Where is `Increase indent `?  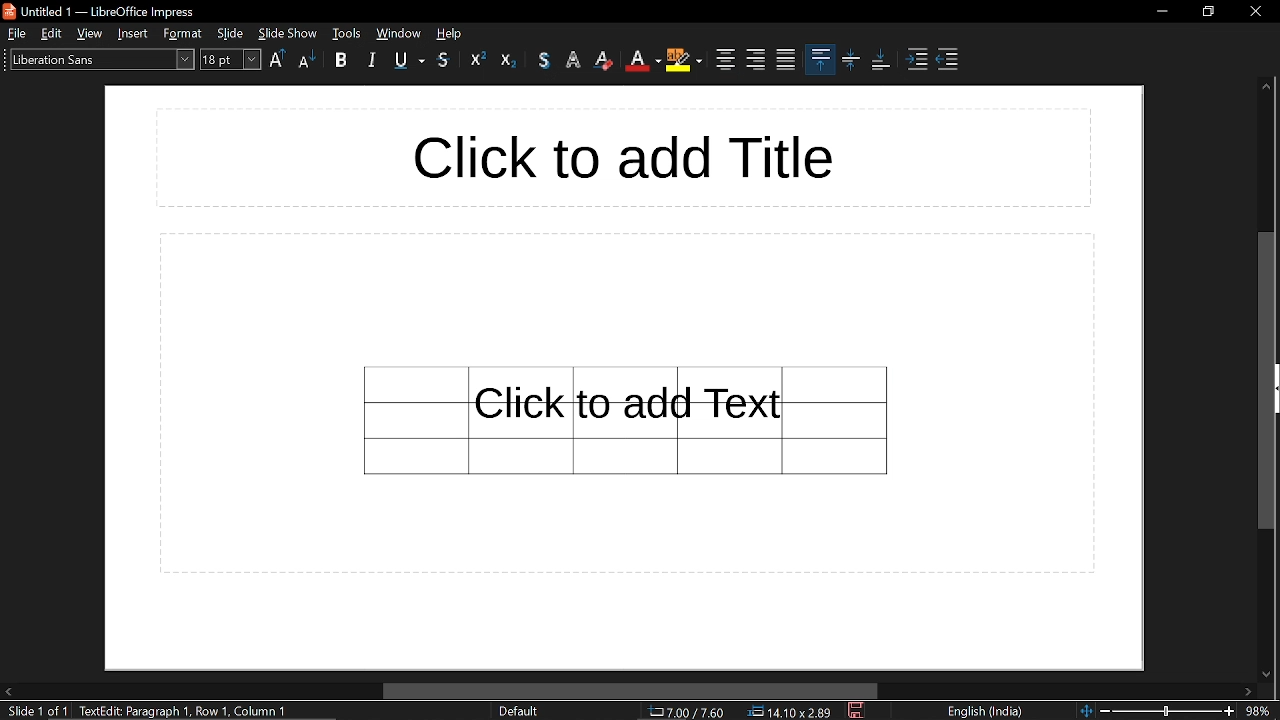 Increase indent  is located at coordinates (919, 61).